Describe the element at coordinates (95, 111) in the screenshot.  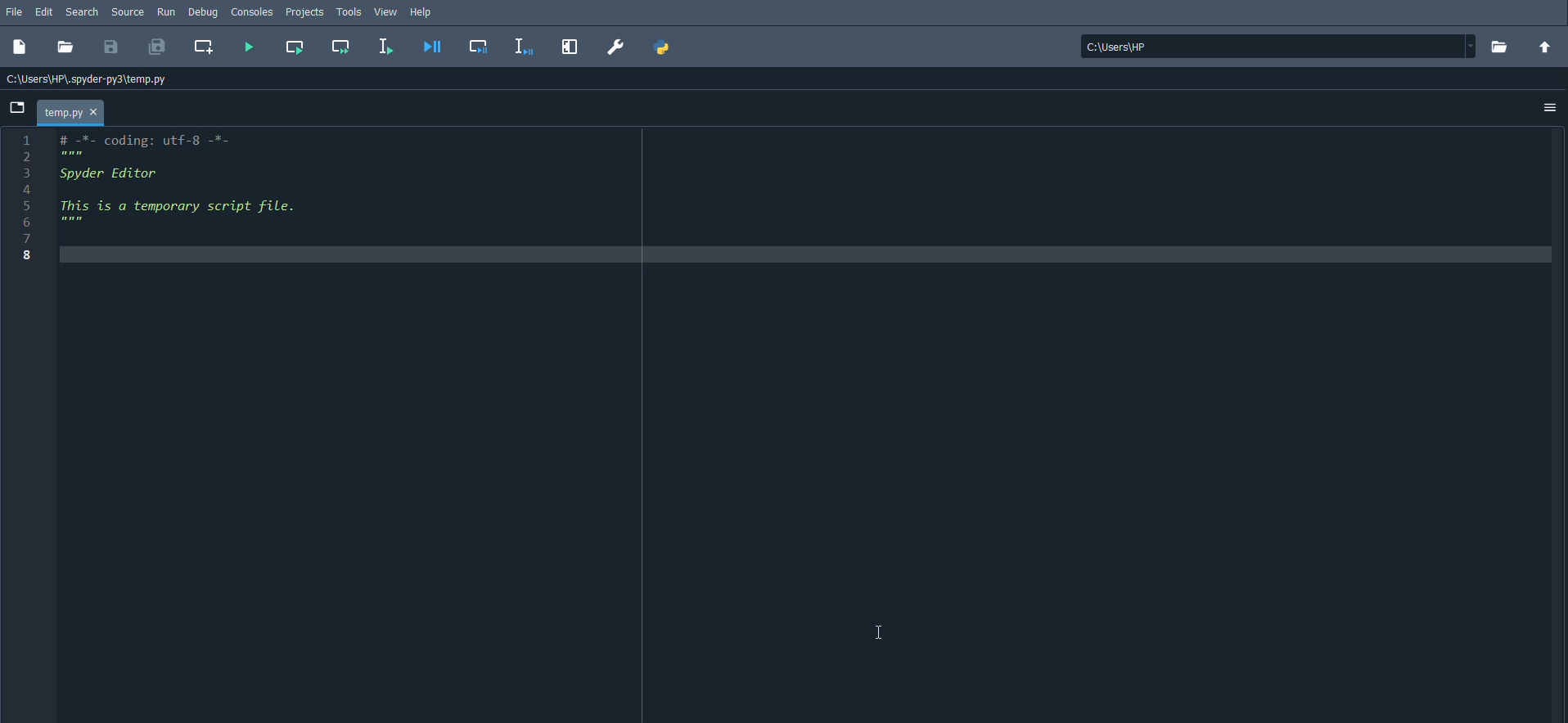
I see `close` at that location.